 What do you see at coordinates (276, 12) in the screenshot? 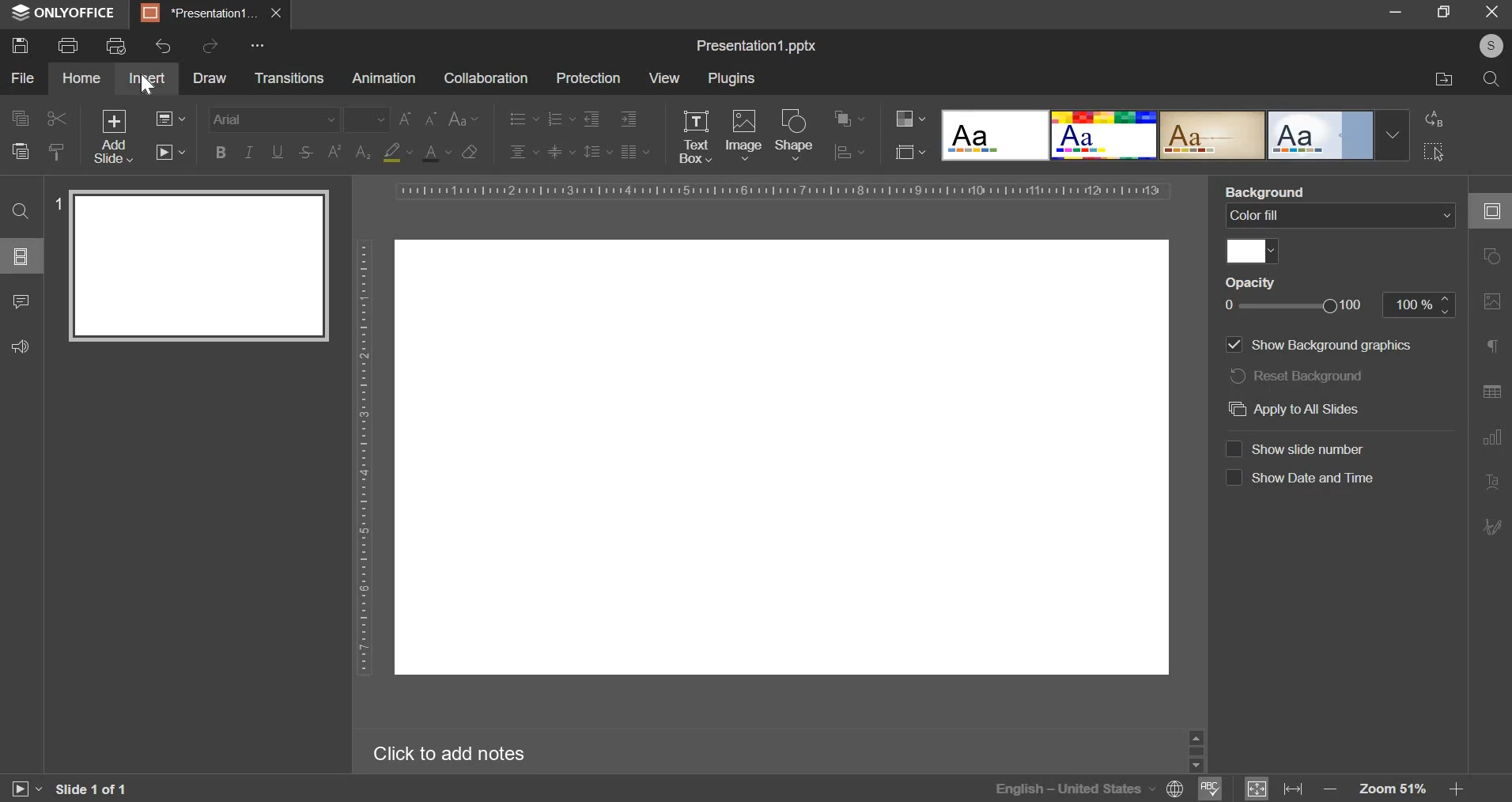
I see `exit` at bounding box center [276, 12].